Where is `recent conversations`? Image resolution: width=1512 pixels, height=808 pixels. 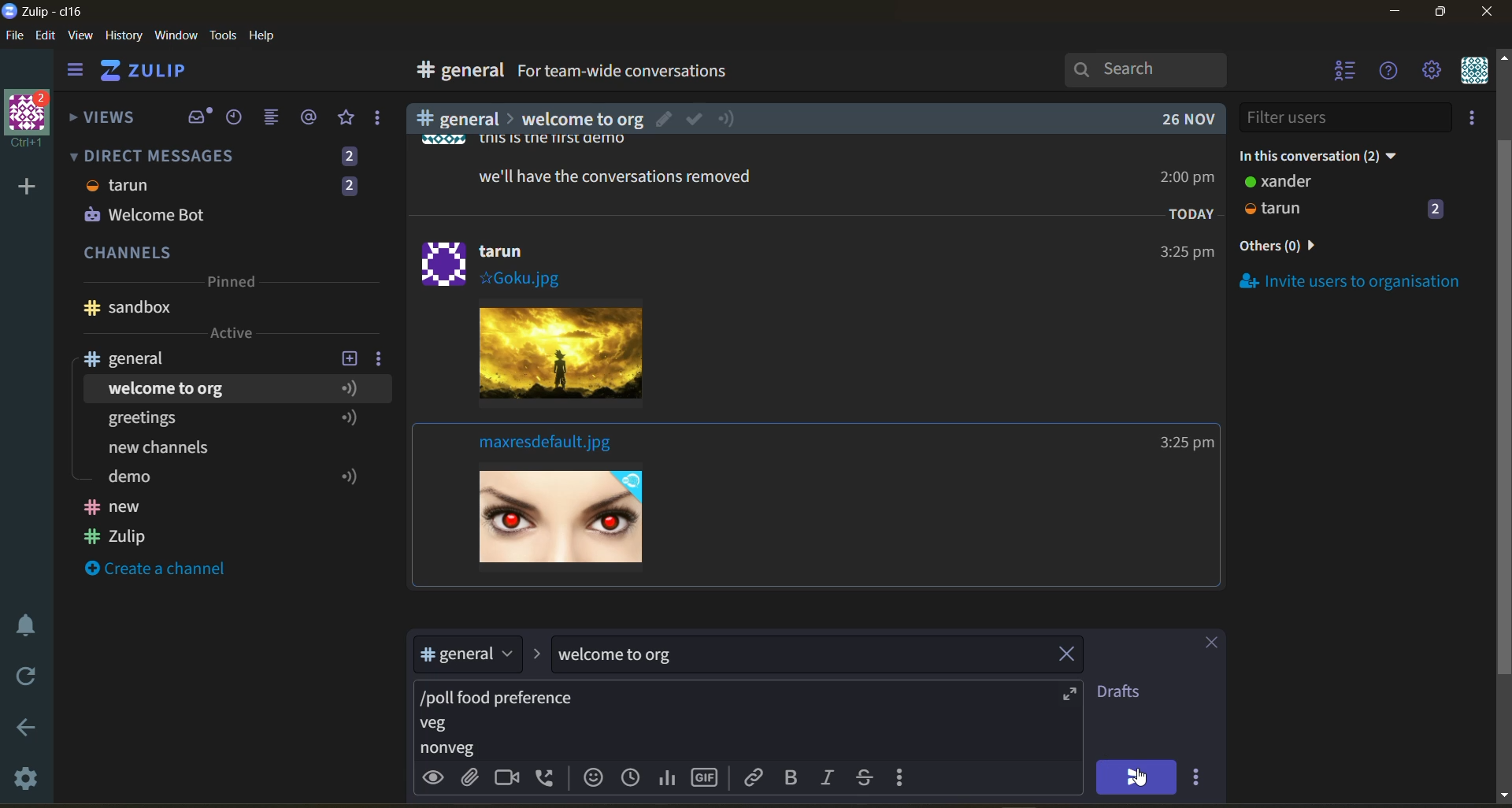
recent conversations is located at coordinates (239, 119).